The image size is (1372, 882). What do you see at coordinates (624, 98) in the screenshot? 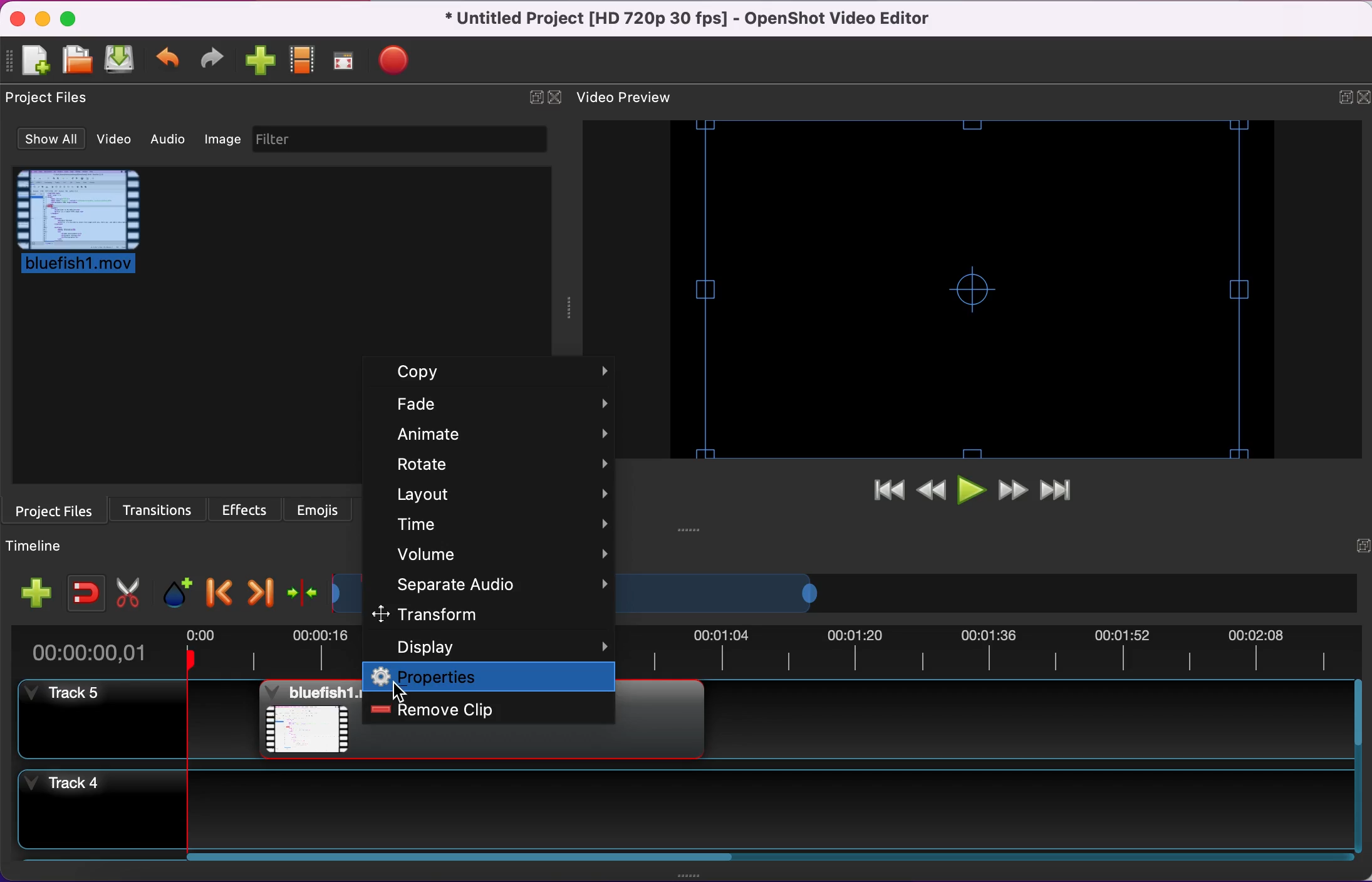
I see `video preview` at bounding box center [624, 98].